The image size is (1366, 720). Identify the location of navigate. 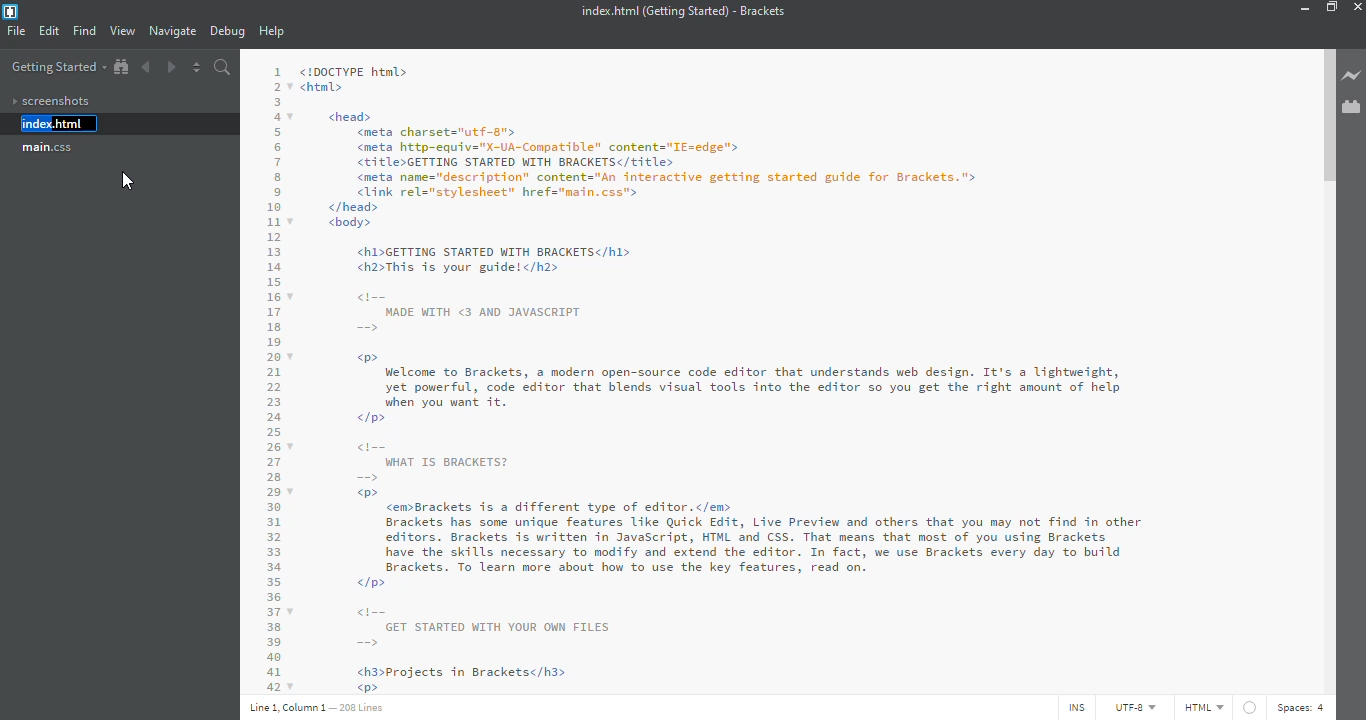
(173, 31).